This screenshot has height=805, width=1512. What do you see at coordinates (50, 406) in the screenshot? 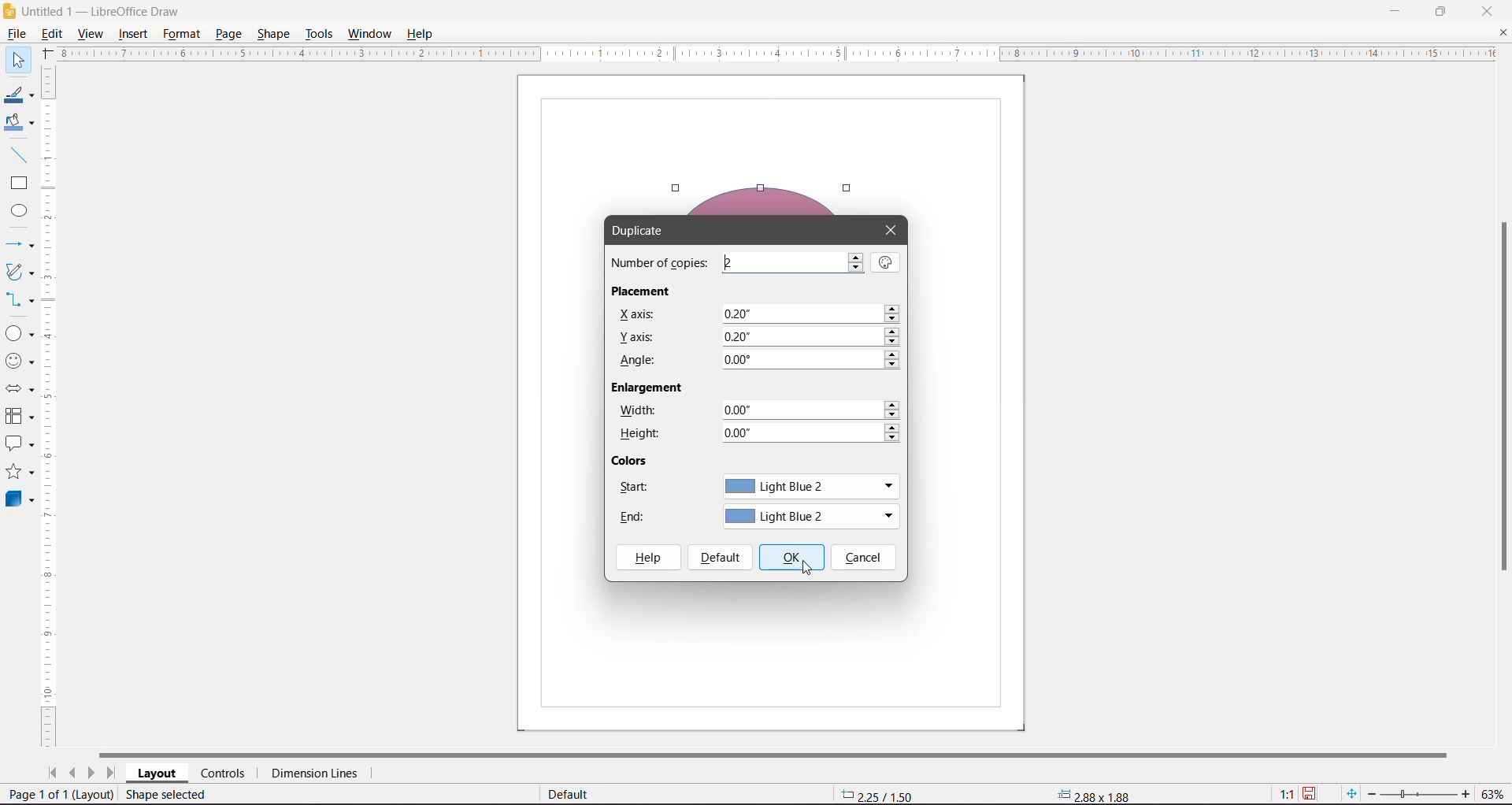
I see `Vertical Ruler` at bounding box center [50, 406].